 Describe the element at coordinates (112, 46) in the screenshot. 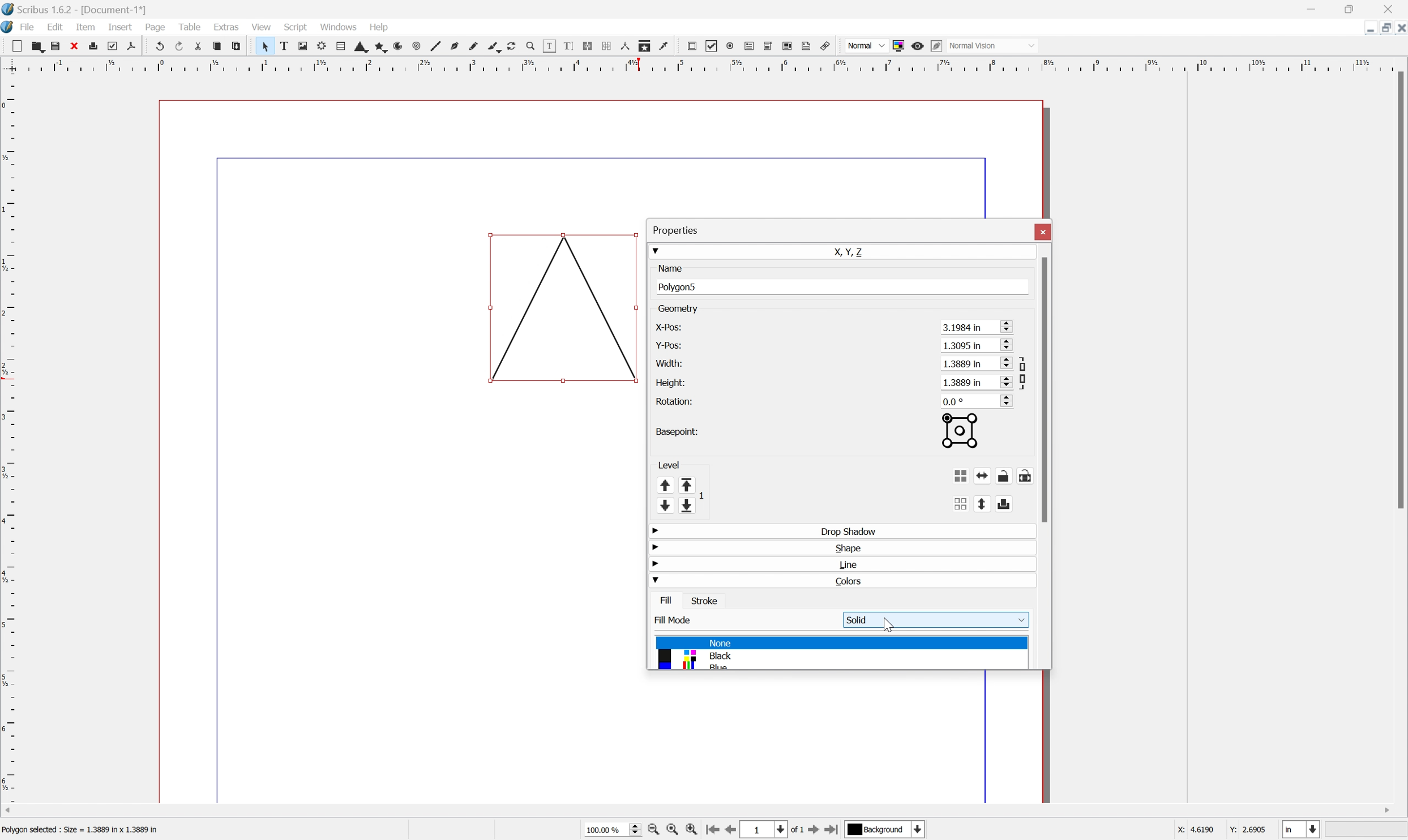

I see `Preflight verifier` at that location.